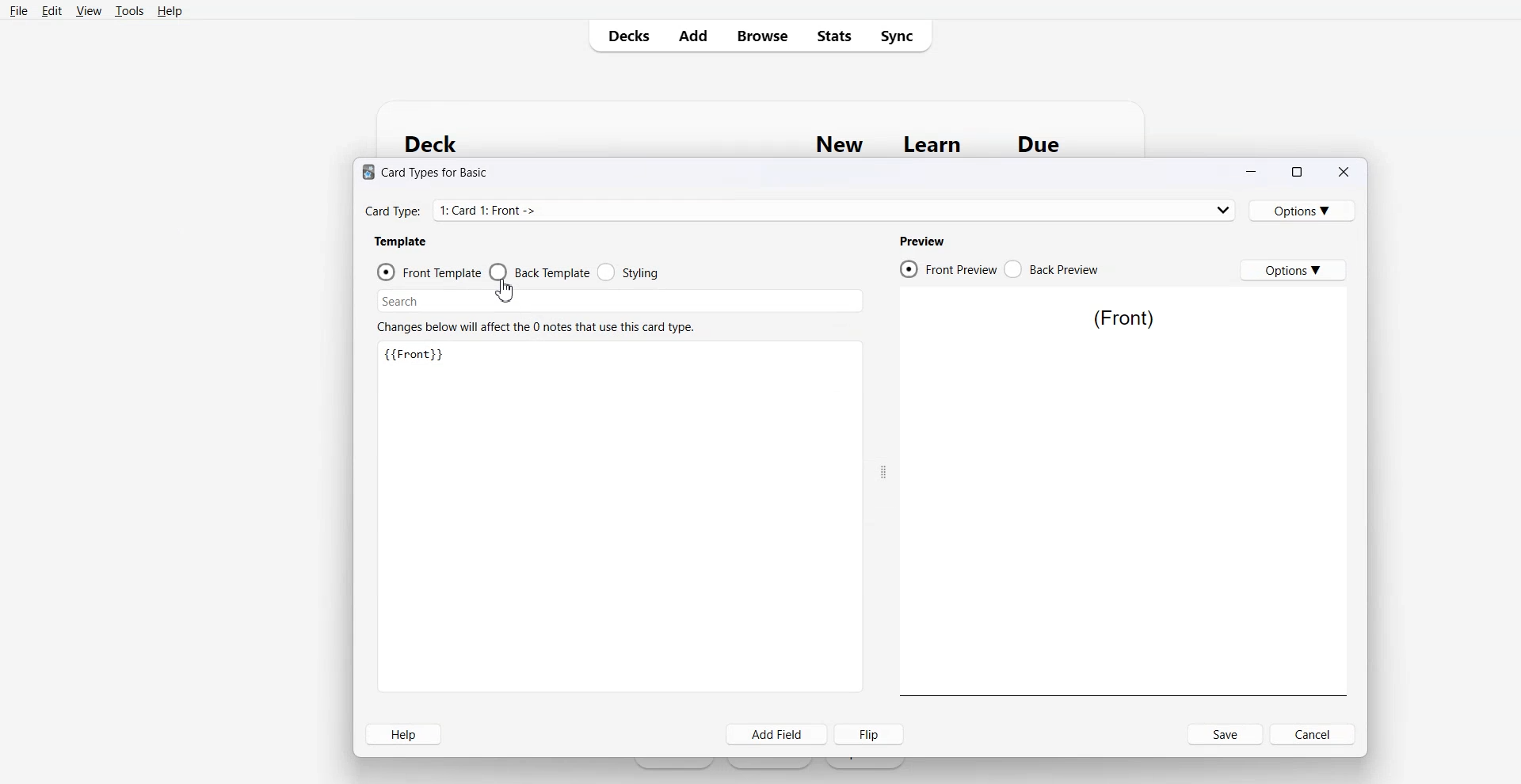  Describe the element at coordinates (537, 328) in the screenshot. I see `Changes below will affect the 0 notes that use this card type.` at that location.